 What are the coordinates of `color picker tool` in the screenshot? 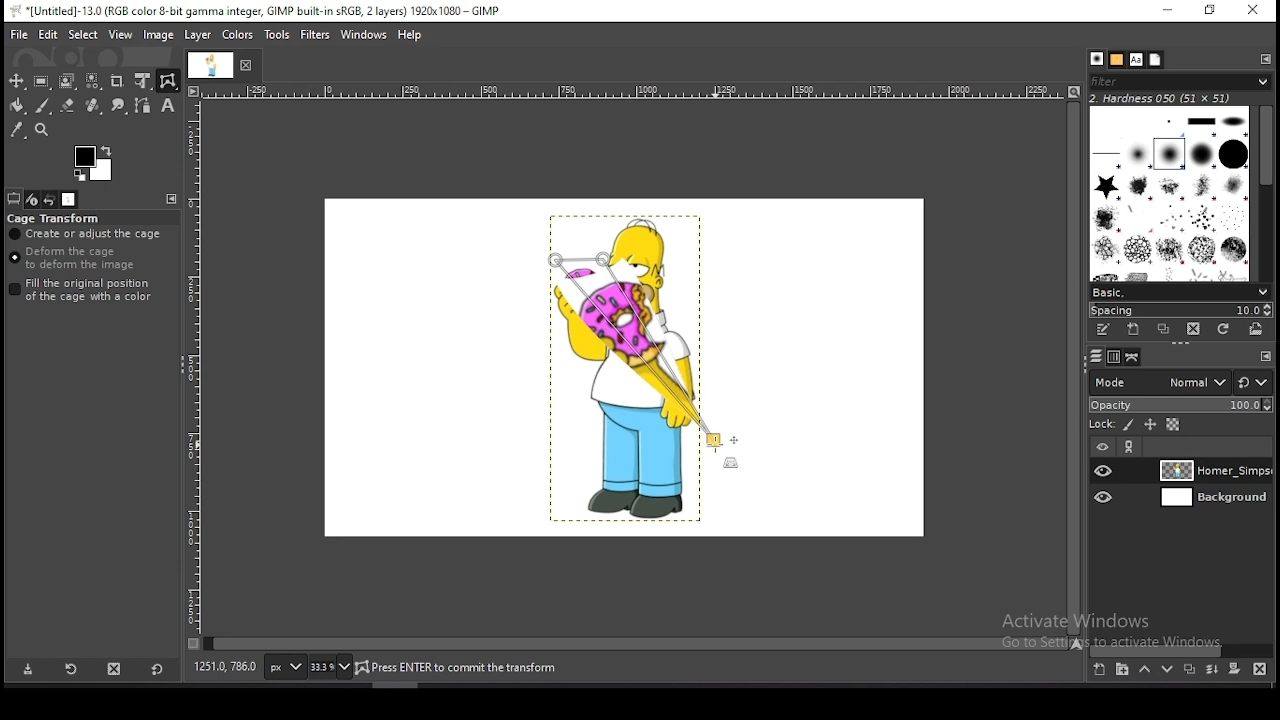 It's located at (17, 129).